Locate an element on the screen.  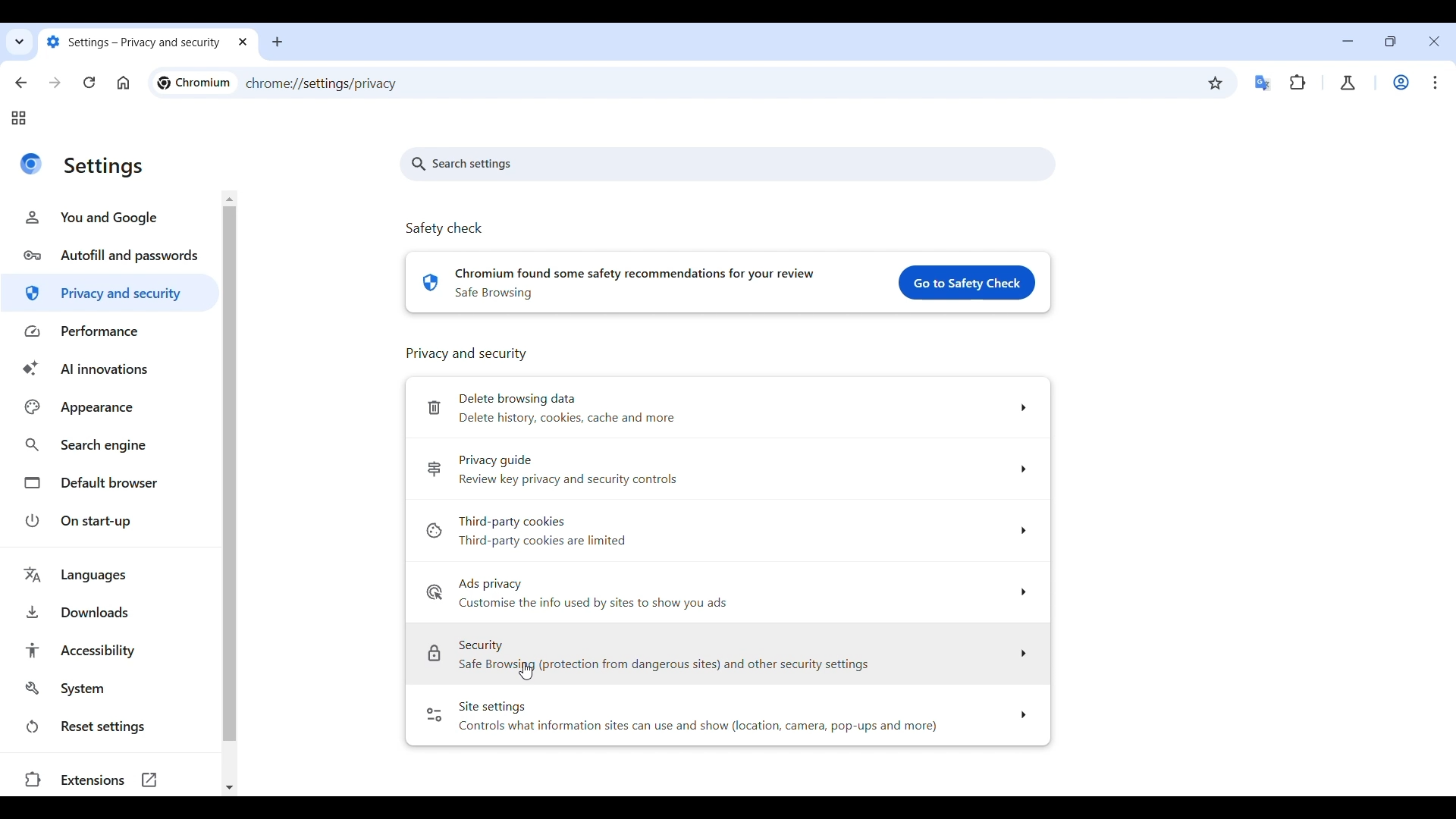
Privacy guide Review key privacy and security controls is located at coordinates (726, 475).